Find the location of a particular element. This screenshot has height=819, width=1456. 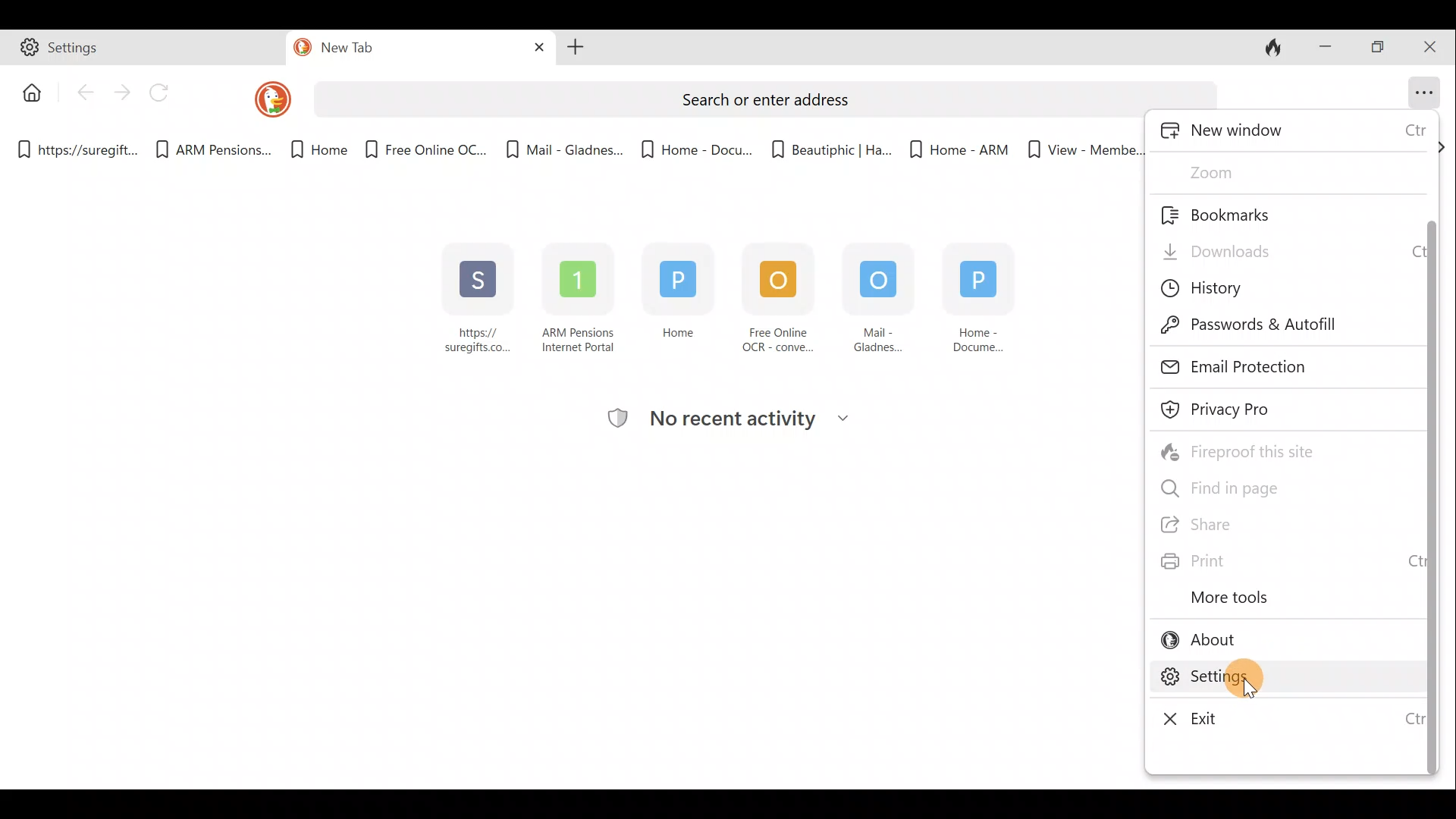

ARM Pensions Internet Portal is located at coordinates (582, 297).